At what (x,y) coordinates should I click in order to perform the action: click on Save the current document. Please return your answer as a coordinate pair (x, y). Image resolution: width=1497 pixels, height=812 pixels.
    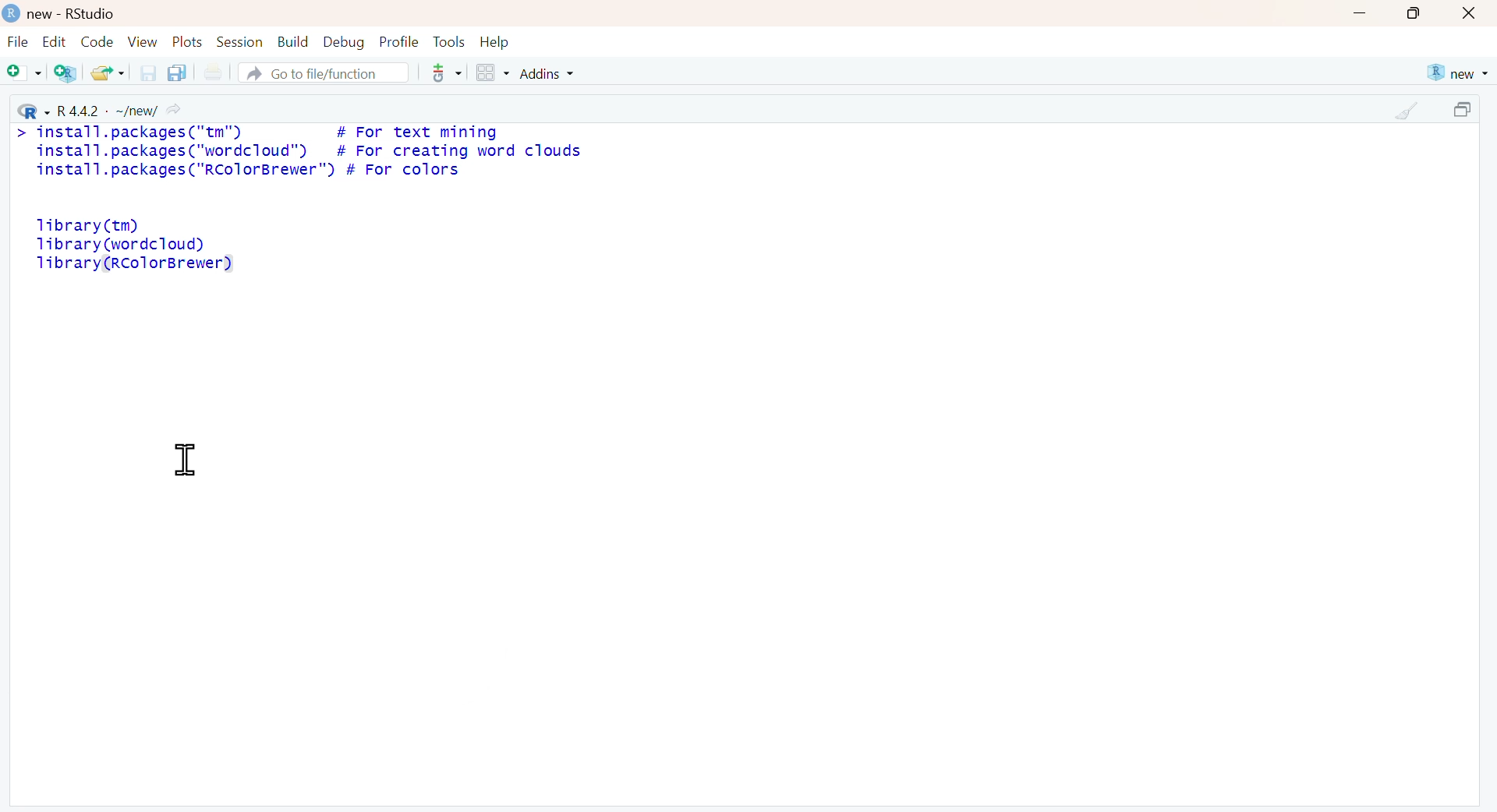
    Looking at the image, I should click on (149, 72).